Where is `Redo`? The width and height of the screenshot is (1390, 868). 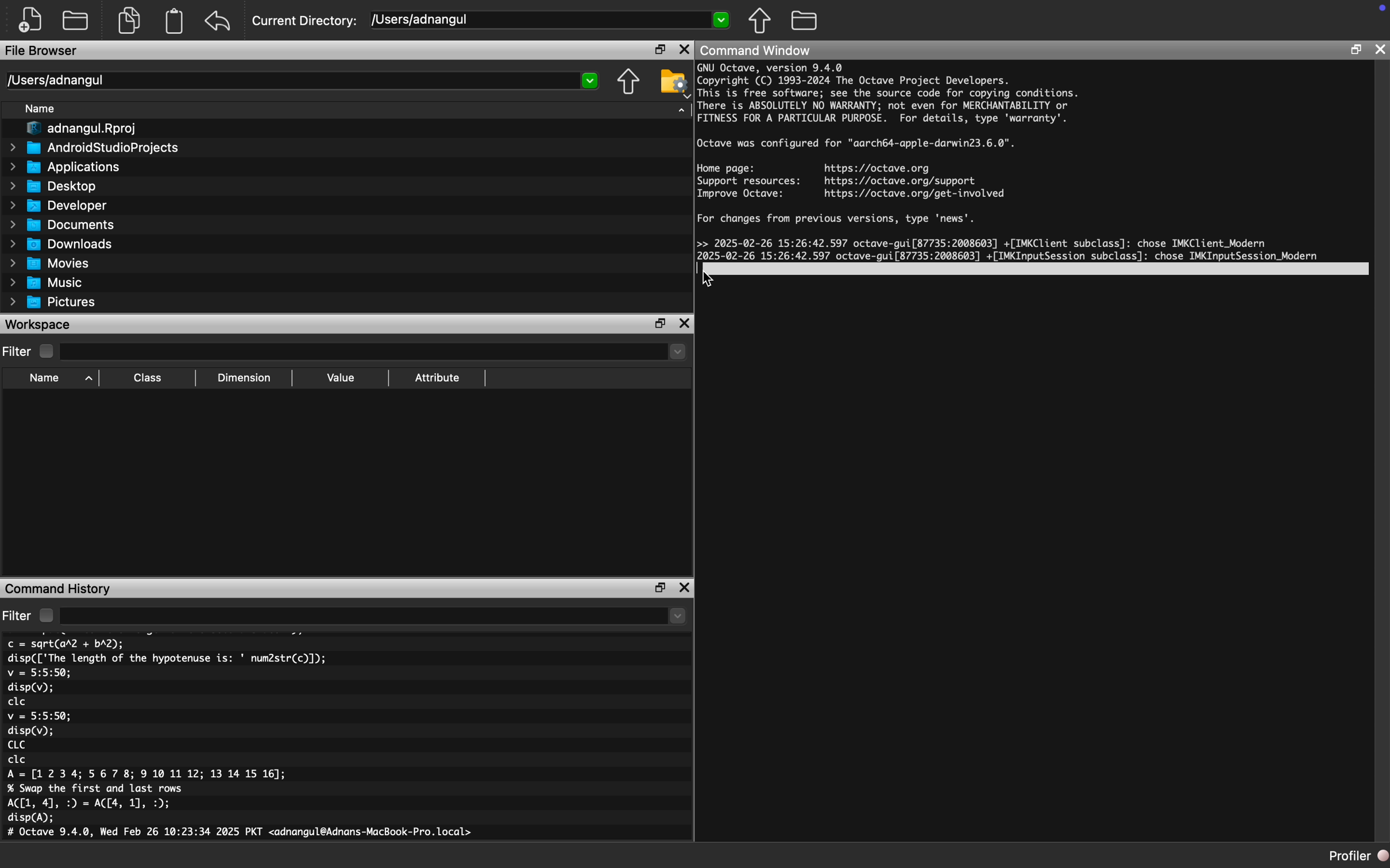 Redo is located at coordinates (219, 21).